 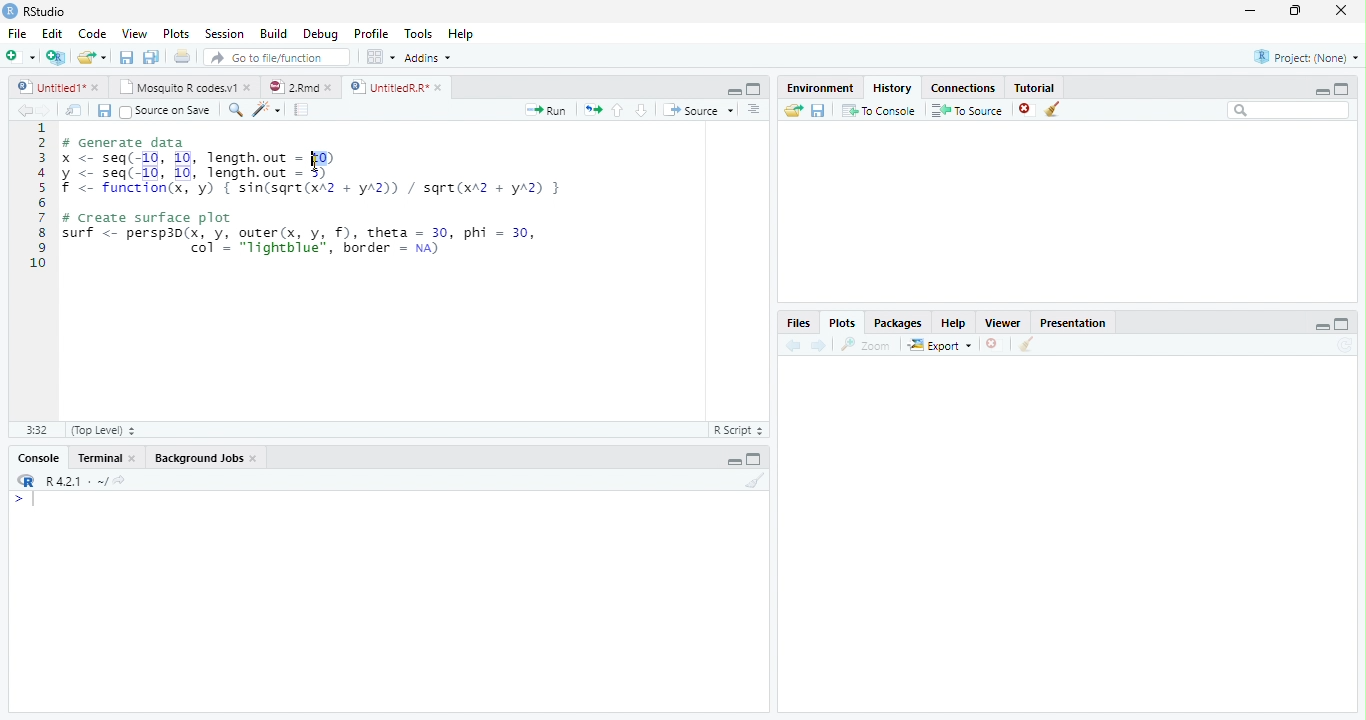 I want to click on History, so click(x=893, y=87).